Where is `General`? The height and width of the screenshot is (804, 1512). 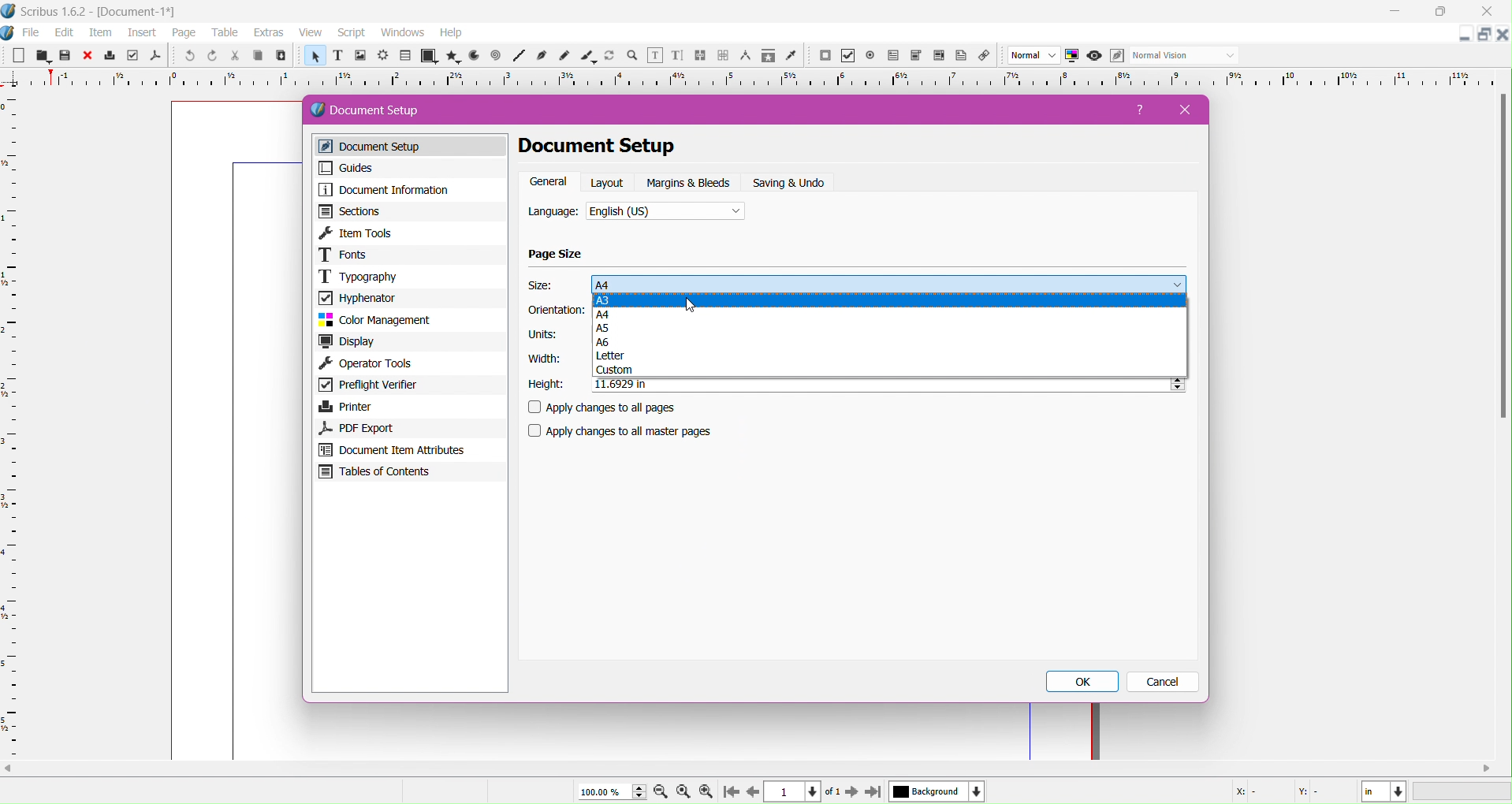
General is located at coordinates (549, 182).